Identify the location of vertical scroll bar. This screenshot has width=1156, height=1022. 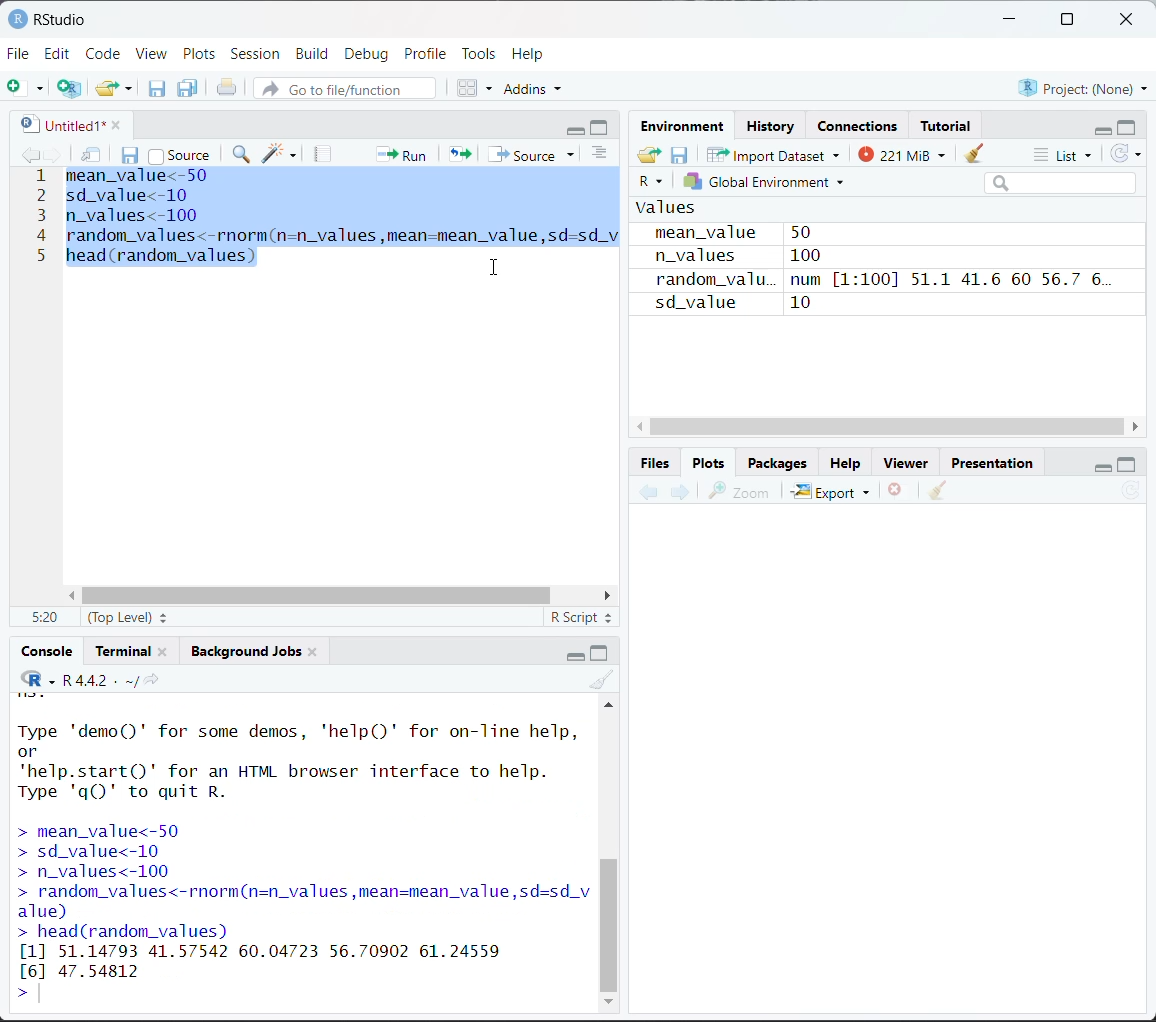
(608, 921).